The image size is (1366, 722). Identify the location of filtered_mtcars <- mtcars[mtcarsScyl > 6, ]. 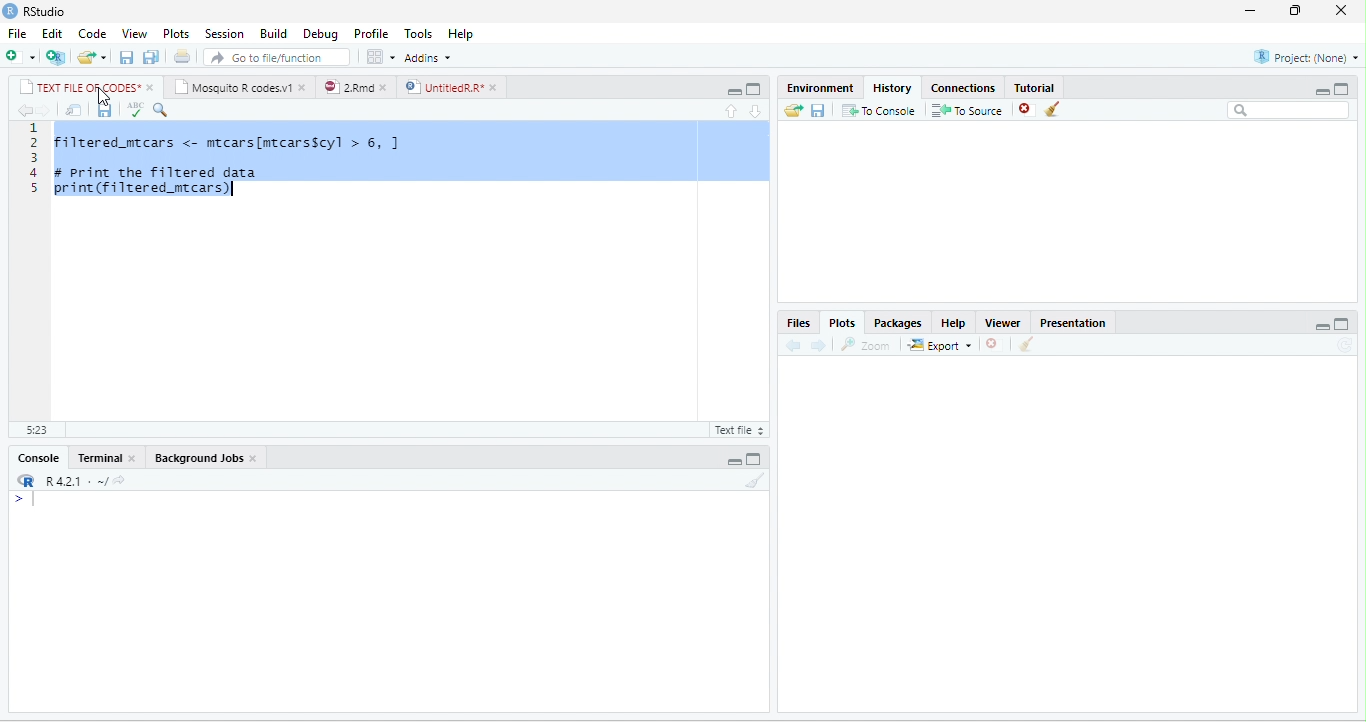
(232, 143).